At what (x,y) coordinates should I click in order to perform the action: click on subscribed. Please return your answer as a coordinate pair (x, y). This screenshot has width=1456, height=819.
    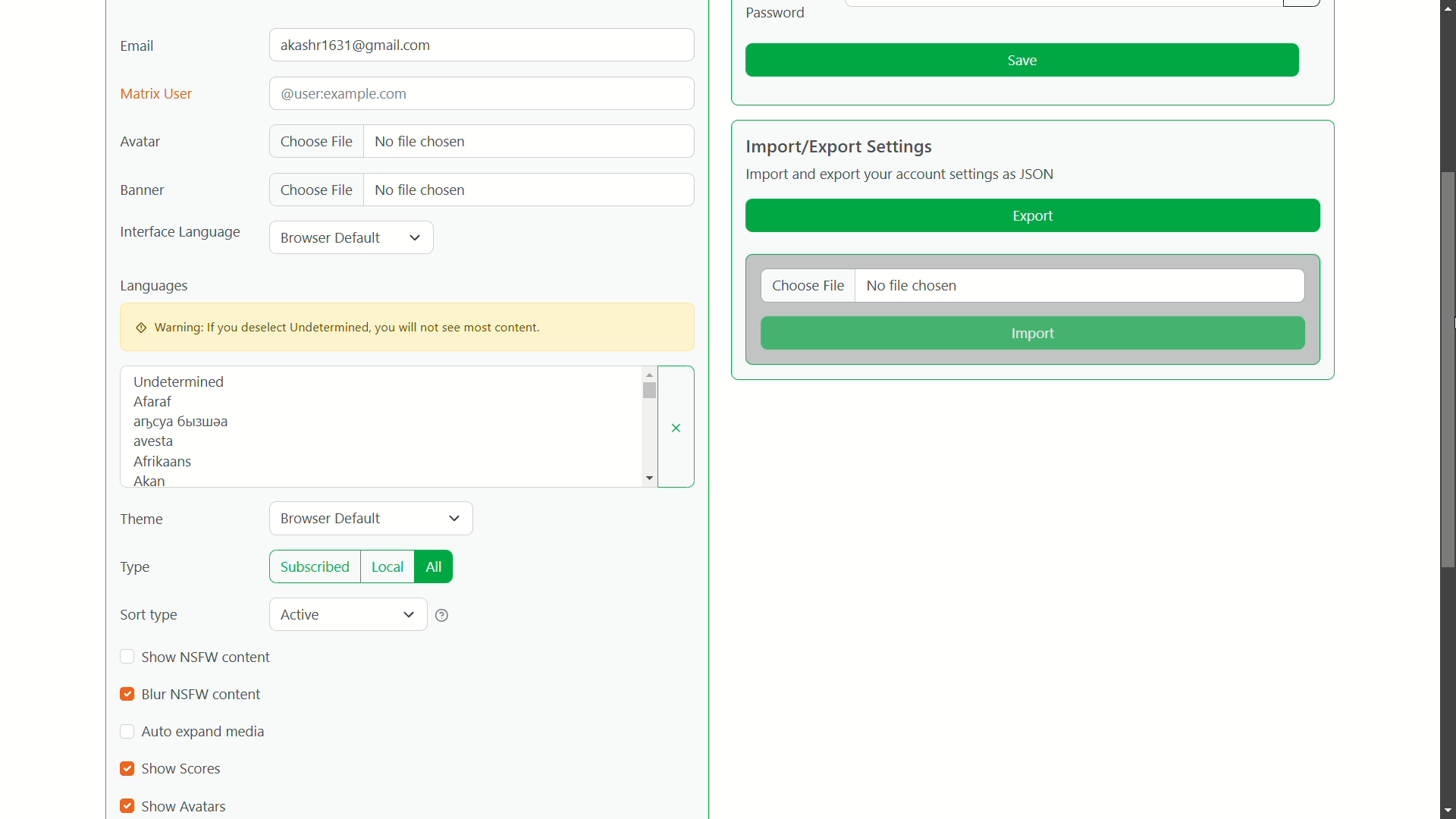
    Looking at the image, I should click on (316, 567).